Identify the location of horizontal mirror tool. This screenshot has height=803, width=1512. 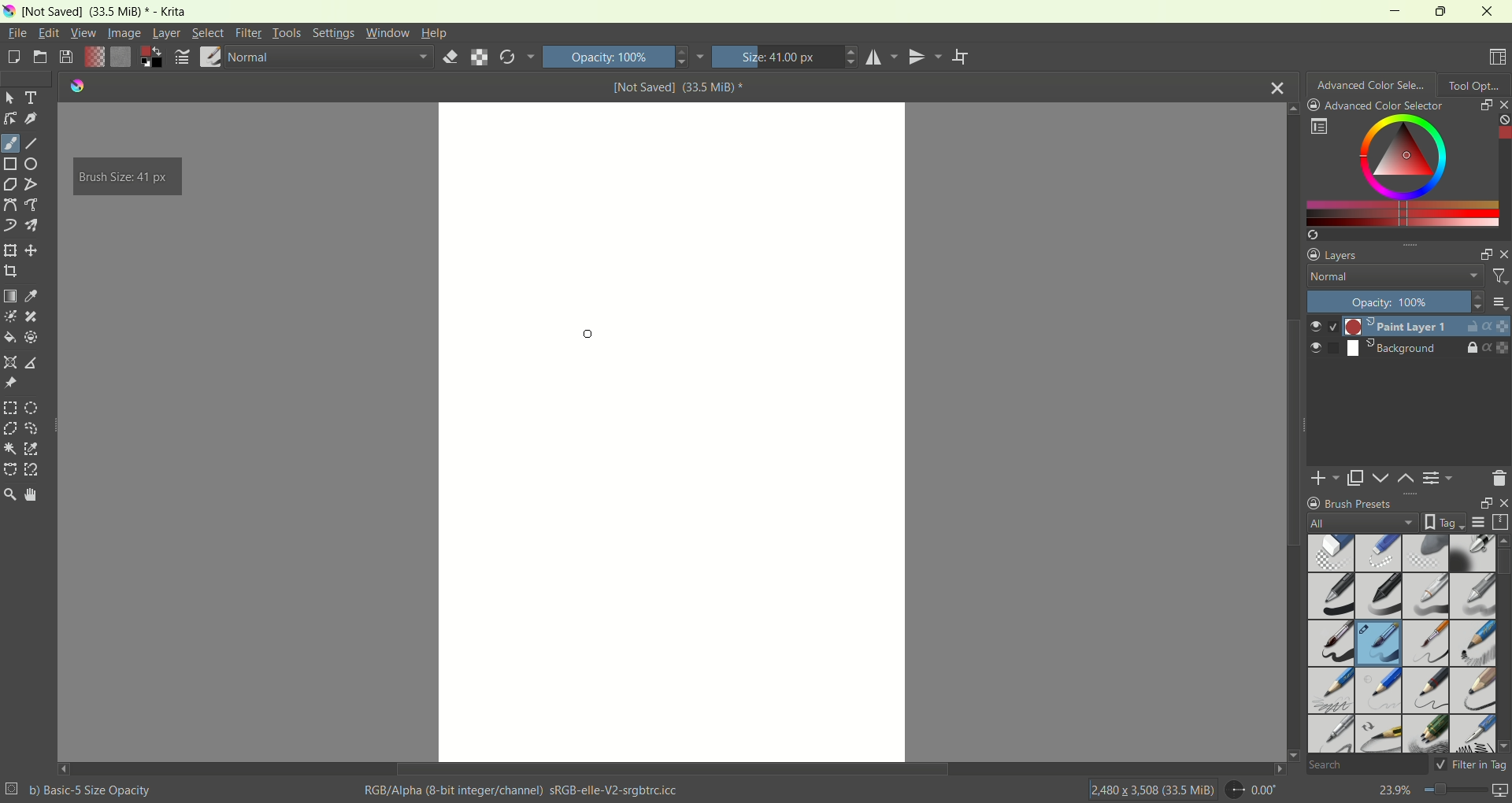
(884, 57).